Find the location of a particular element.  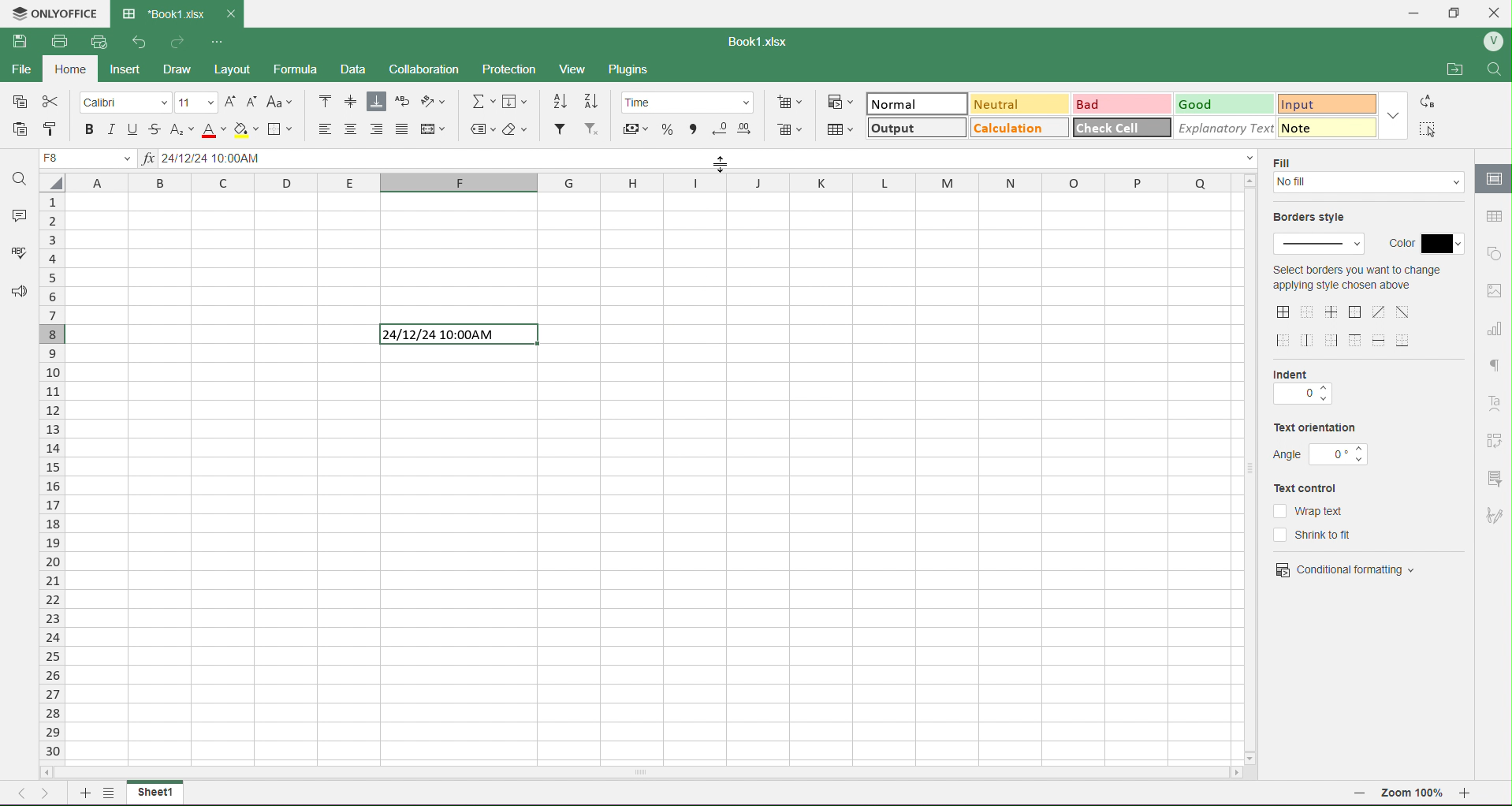

show/hide paragraph is located at coordinates (1494, 364).